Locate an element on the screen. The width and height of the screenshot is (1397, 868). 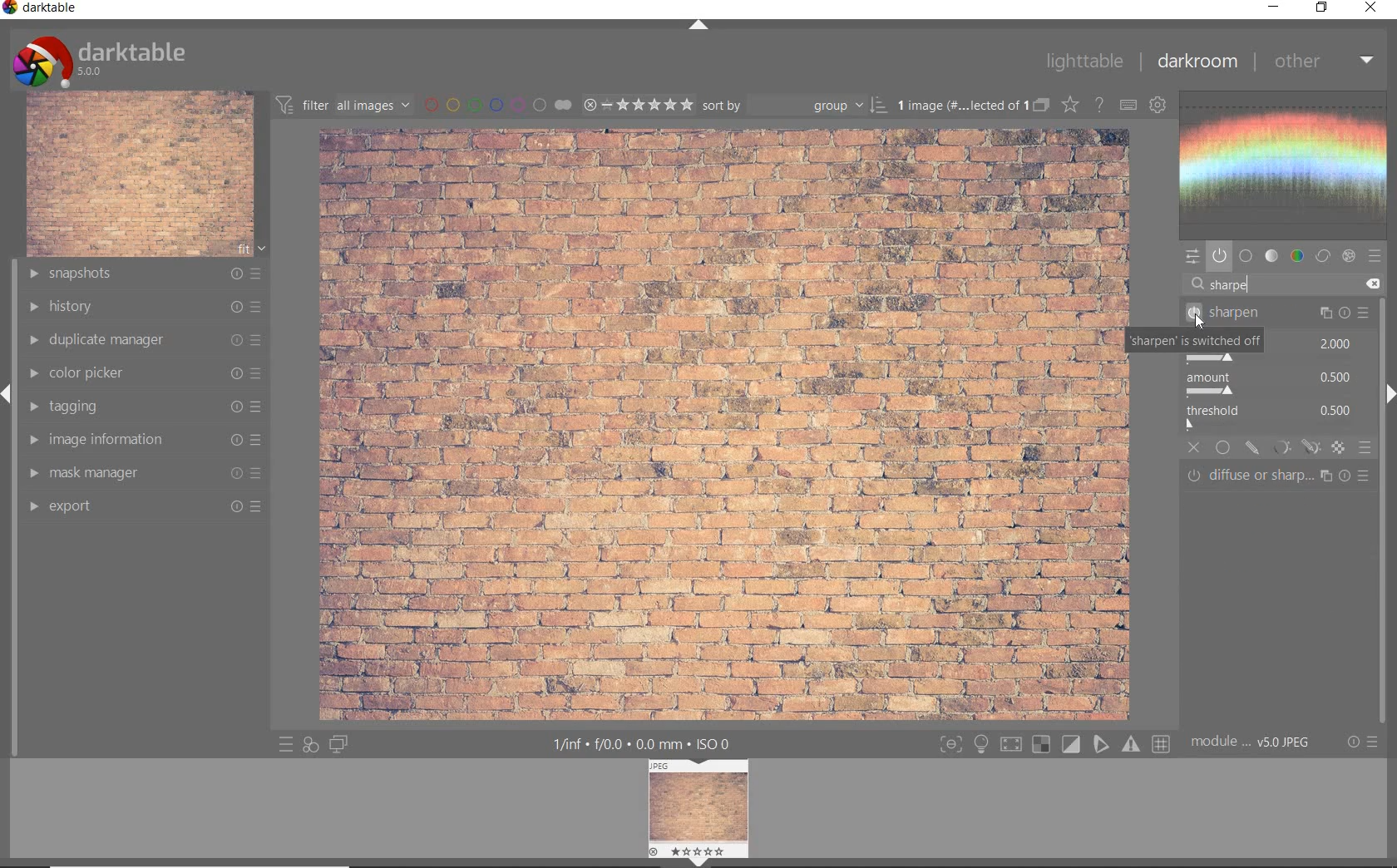
darktable is located at coordinates (42, 9).